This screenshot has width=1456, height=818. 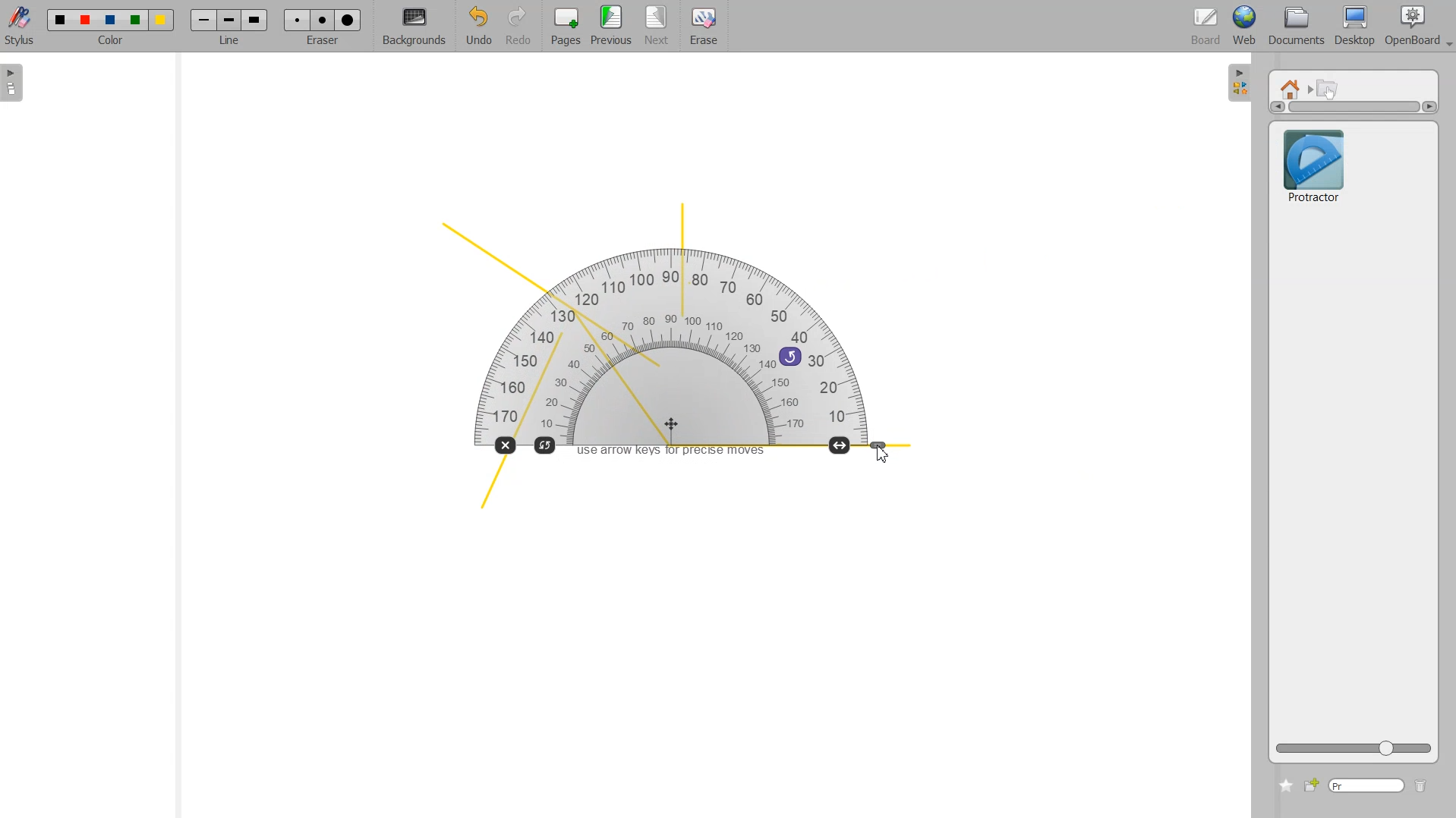 I want to click on Open Board, so click(x=1418, y=27).